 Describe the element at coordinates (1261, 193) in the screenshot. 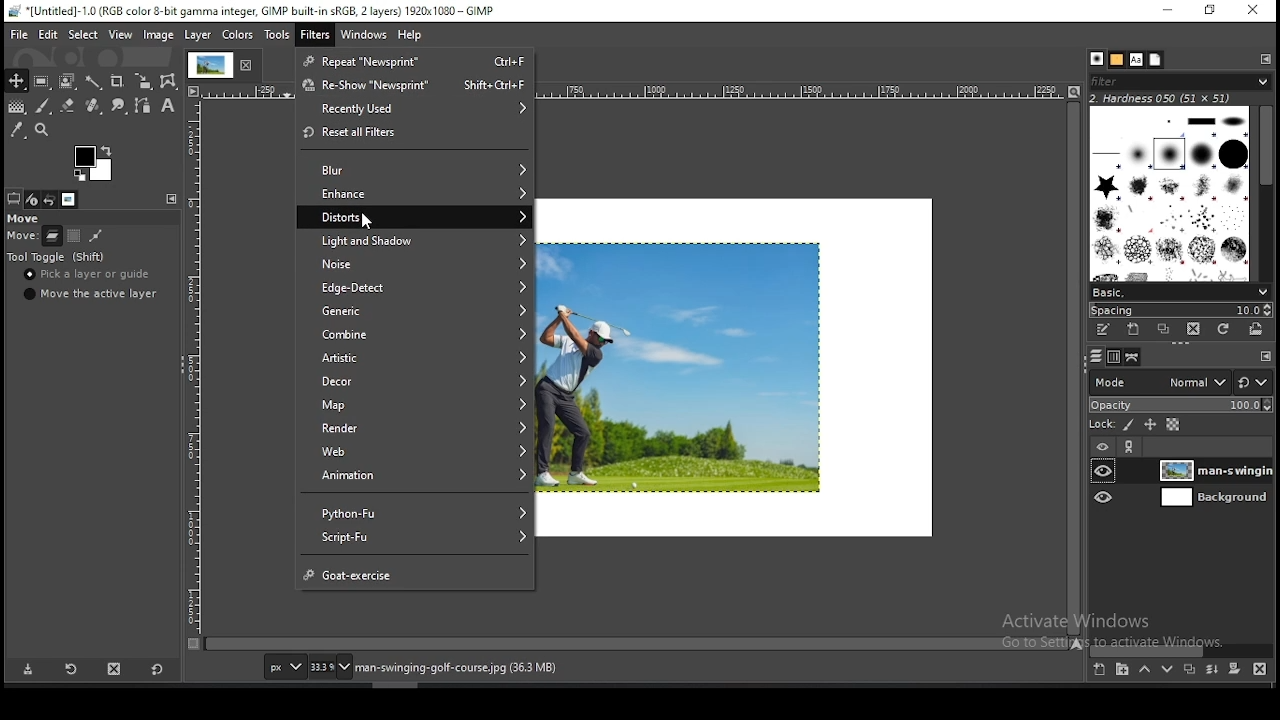

I see `scroll bar` at that location.